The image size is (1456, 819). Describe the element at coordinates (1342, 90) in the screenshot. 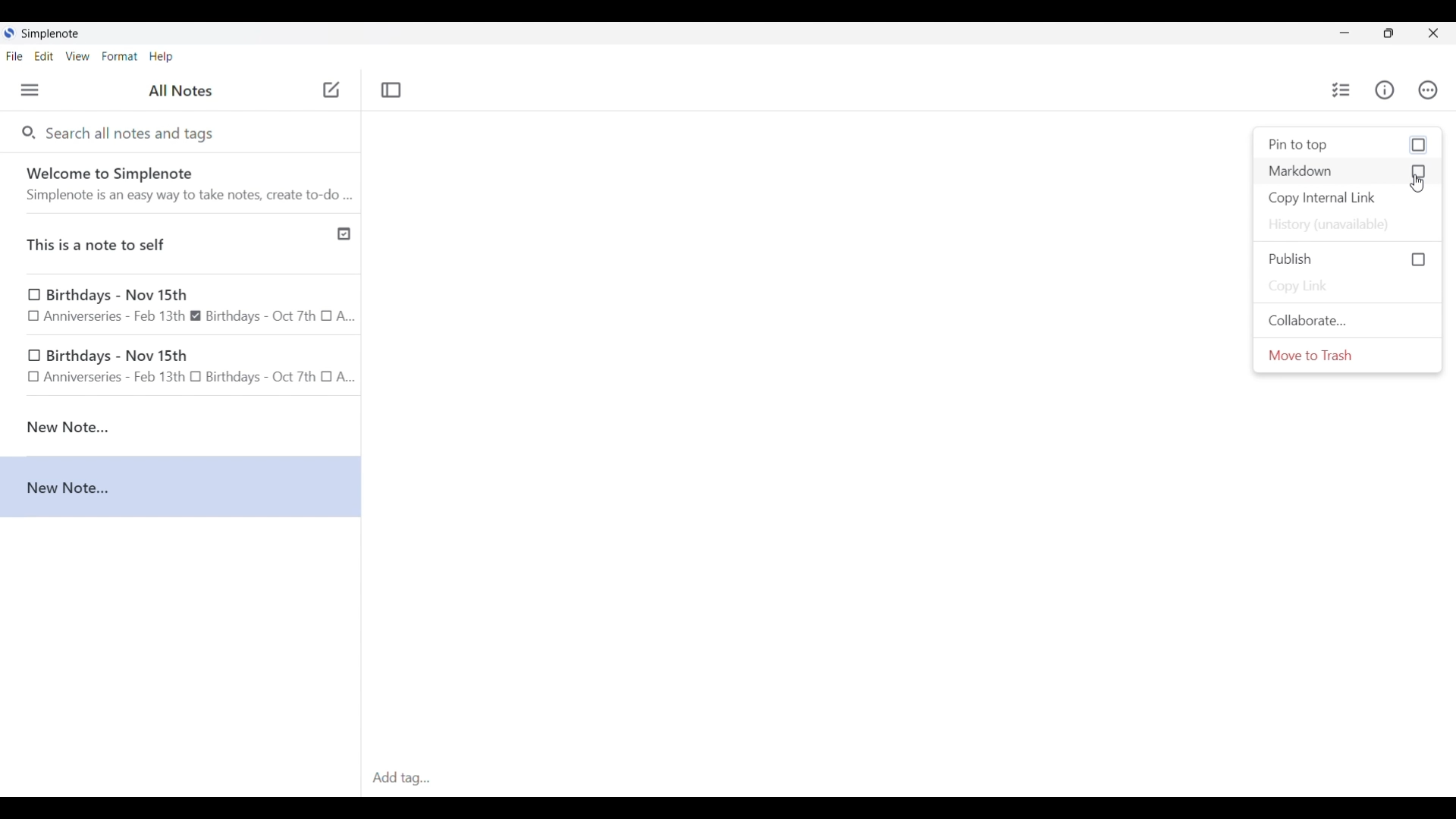

I see `Insert checklist` at that location.